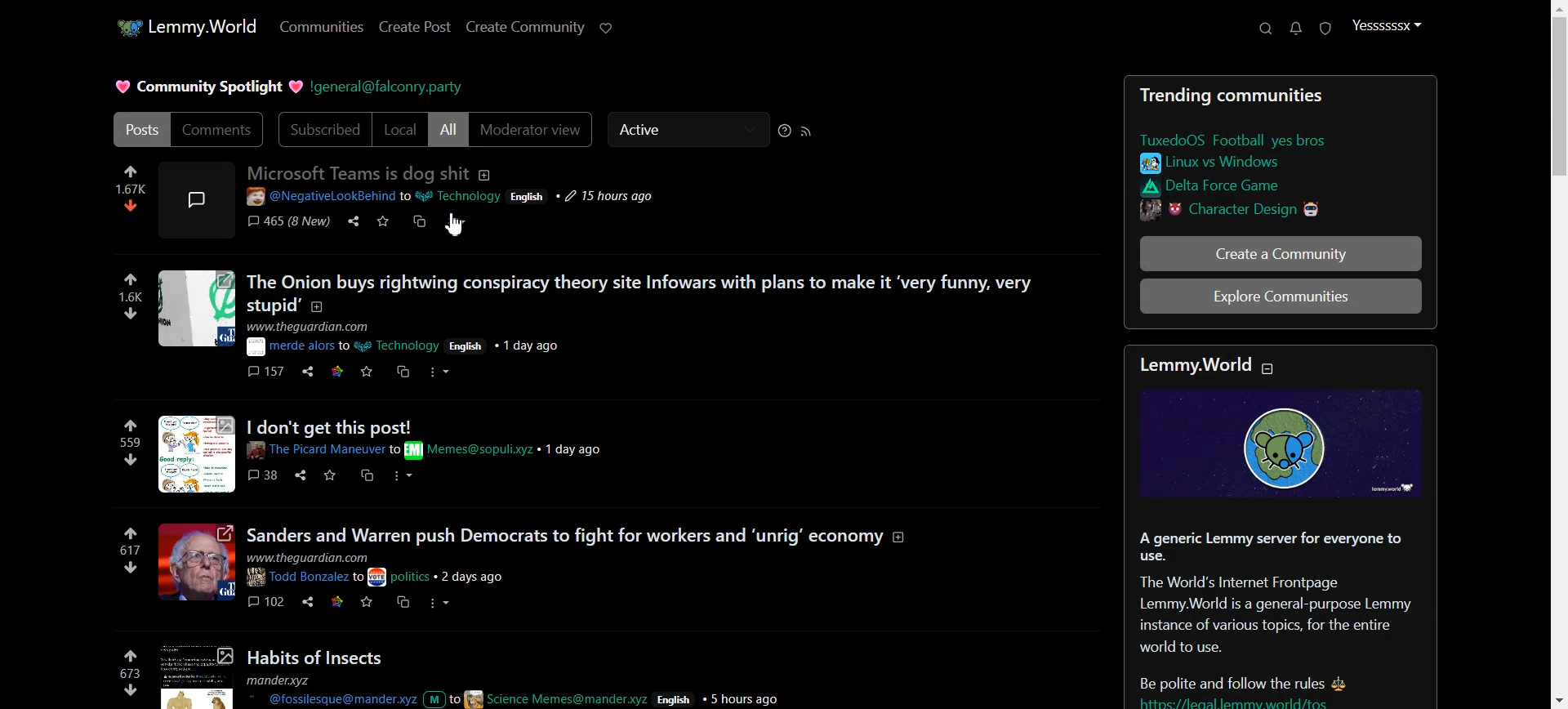 The width and height of the screenshot is (1568, 709). What do you see at coordinates (129, 675) in the screenshot?
I see `numbers` at bounding box center [129, 675].